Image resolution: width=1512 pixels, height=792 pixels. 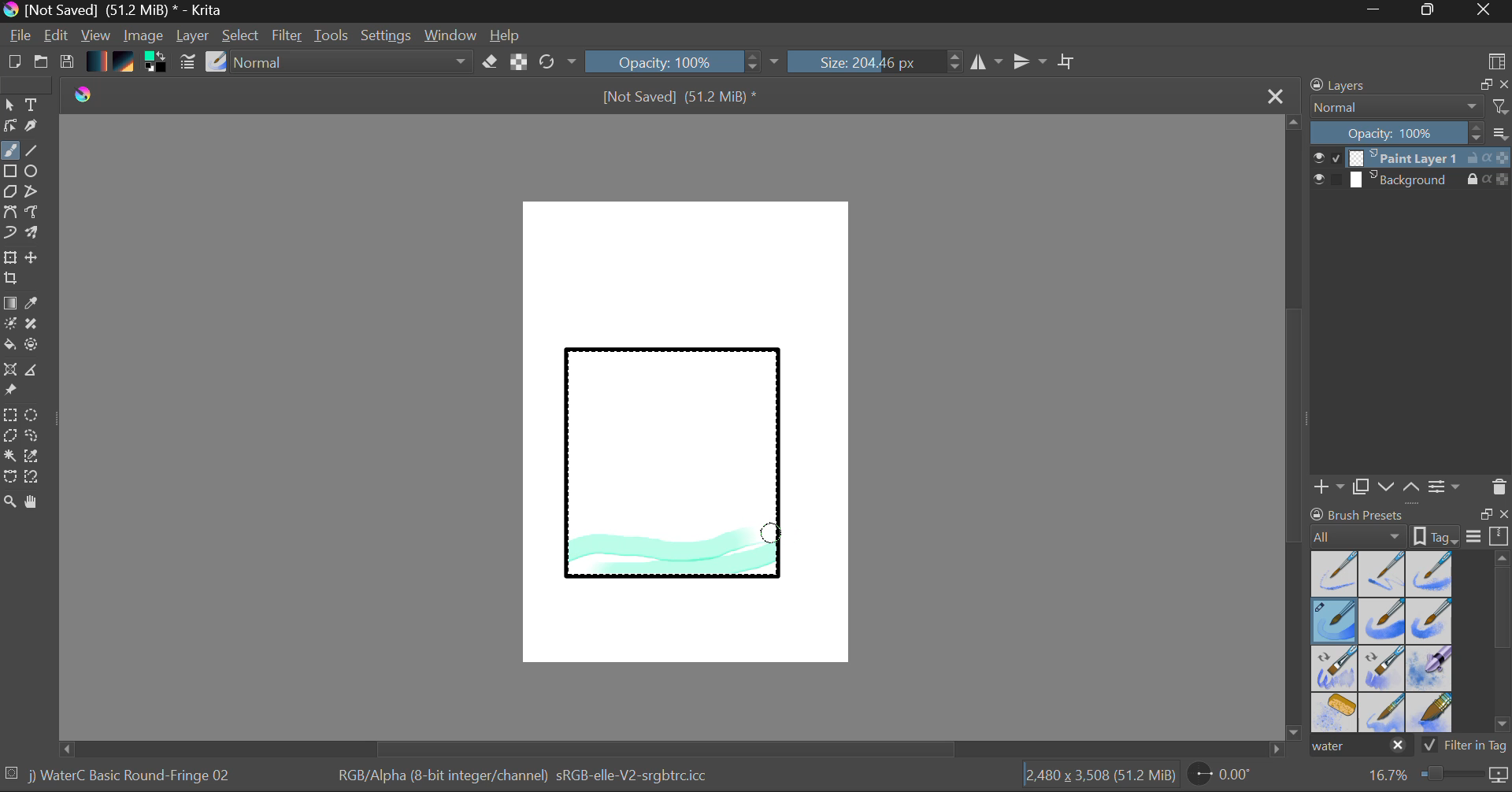 I want to click on Water C - Wide Area, so click(x=1432, y=713).